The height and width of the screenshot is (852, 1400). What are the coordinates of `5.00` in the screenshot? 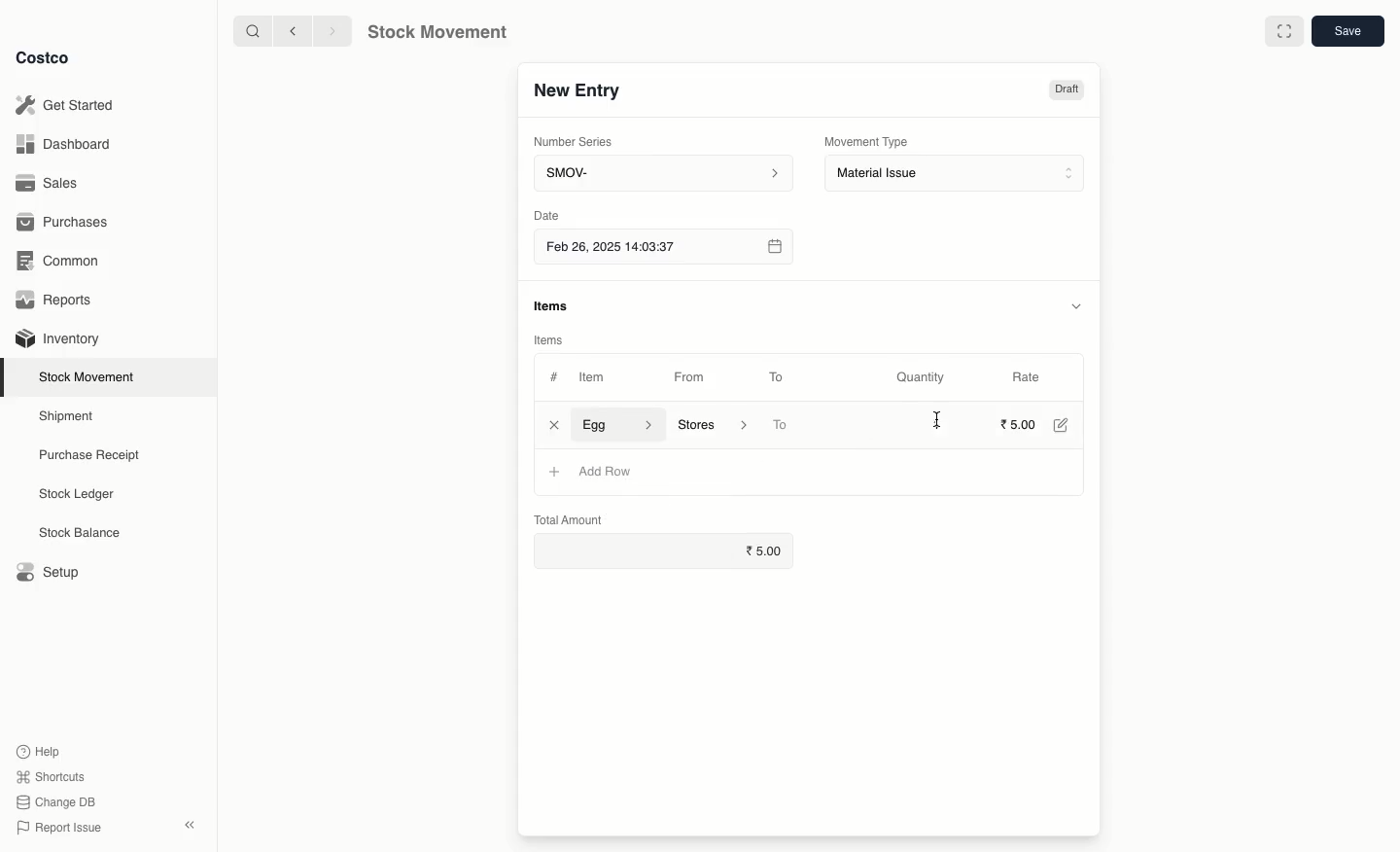 It's located at (1019, 424).